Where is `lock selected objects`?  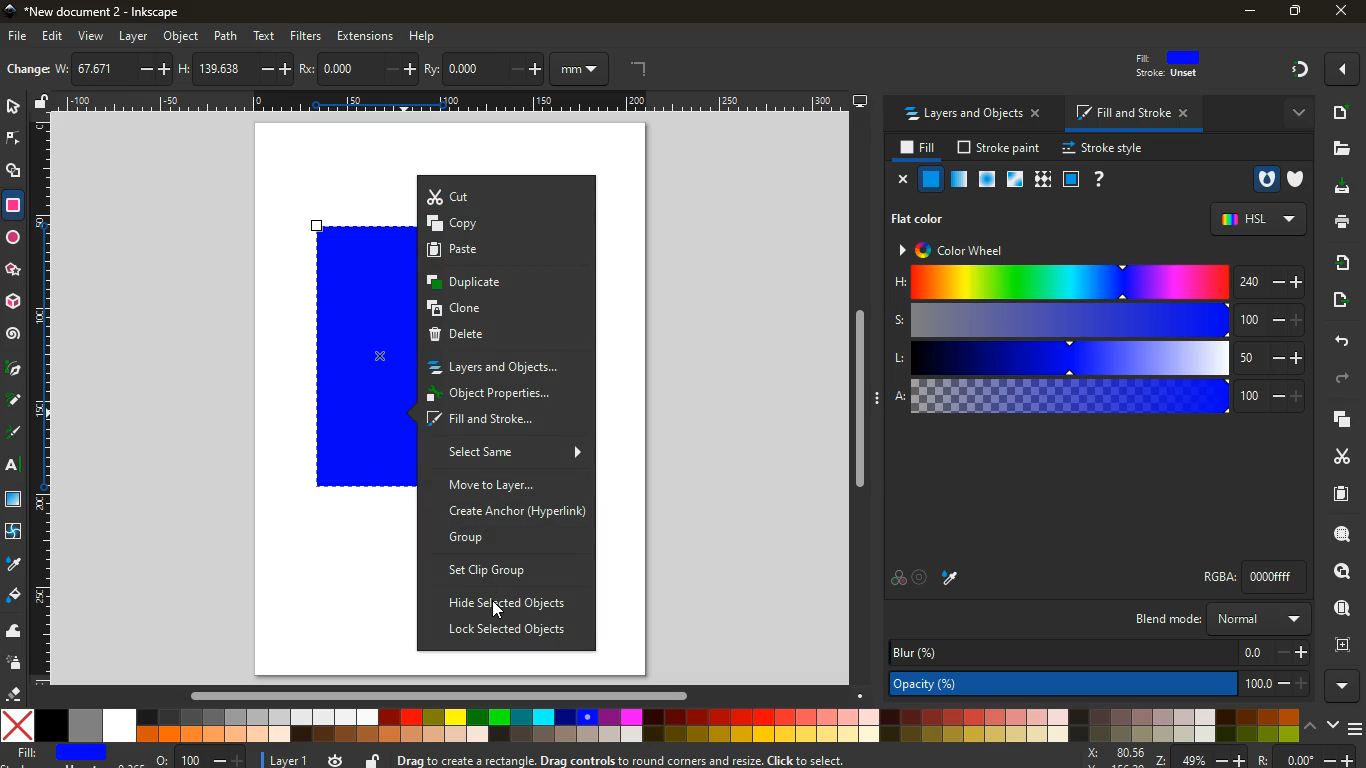 lock selected objects is located at coordinates (508, 631).